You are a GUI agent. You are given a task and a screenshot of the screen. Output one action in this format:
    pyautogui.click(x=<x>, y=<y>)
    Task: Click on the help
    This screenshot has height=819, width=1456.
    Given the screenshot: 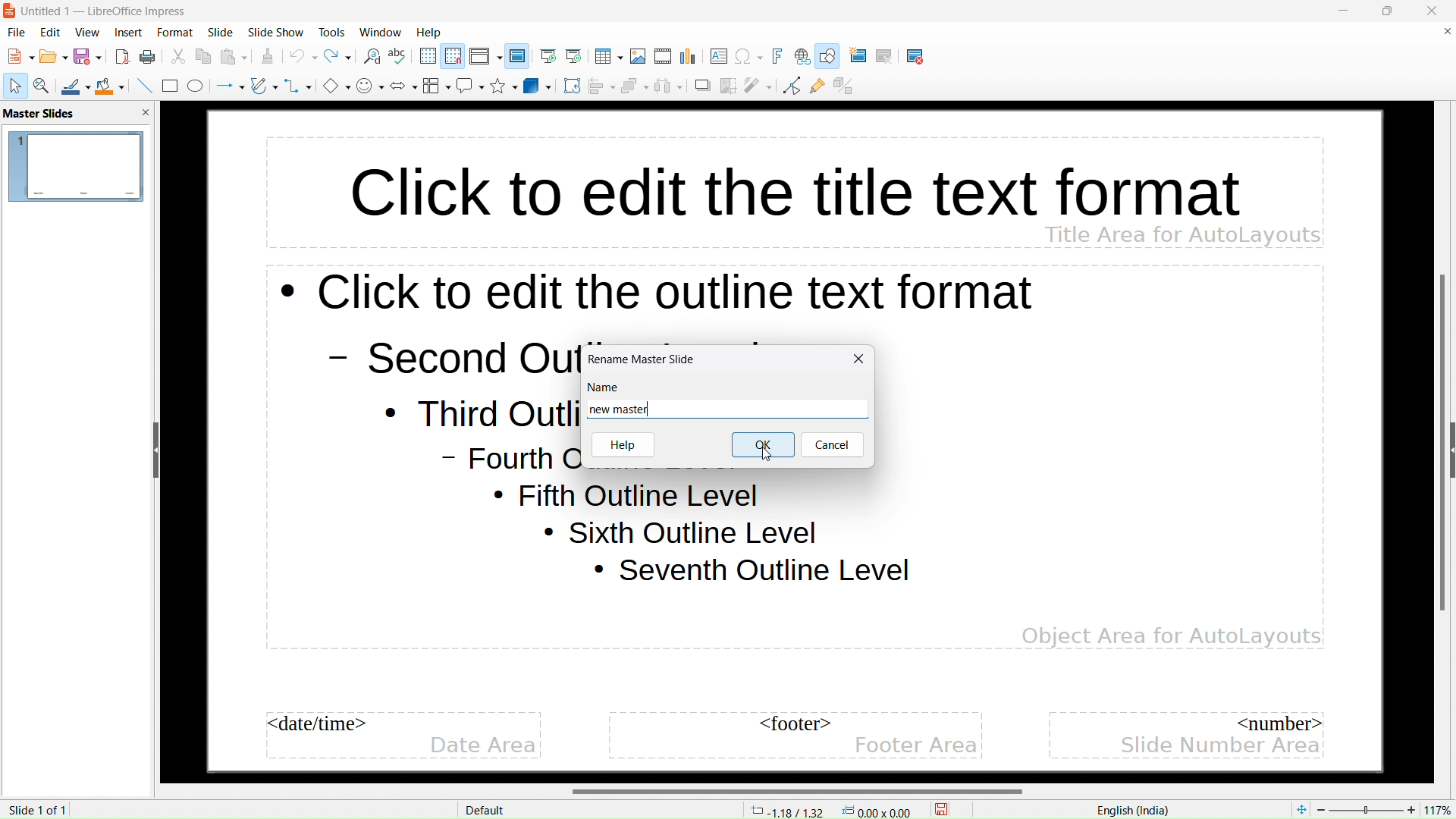 What is the action you would take?
    pyautogui.click(x=428, y=33)
    